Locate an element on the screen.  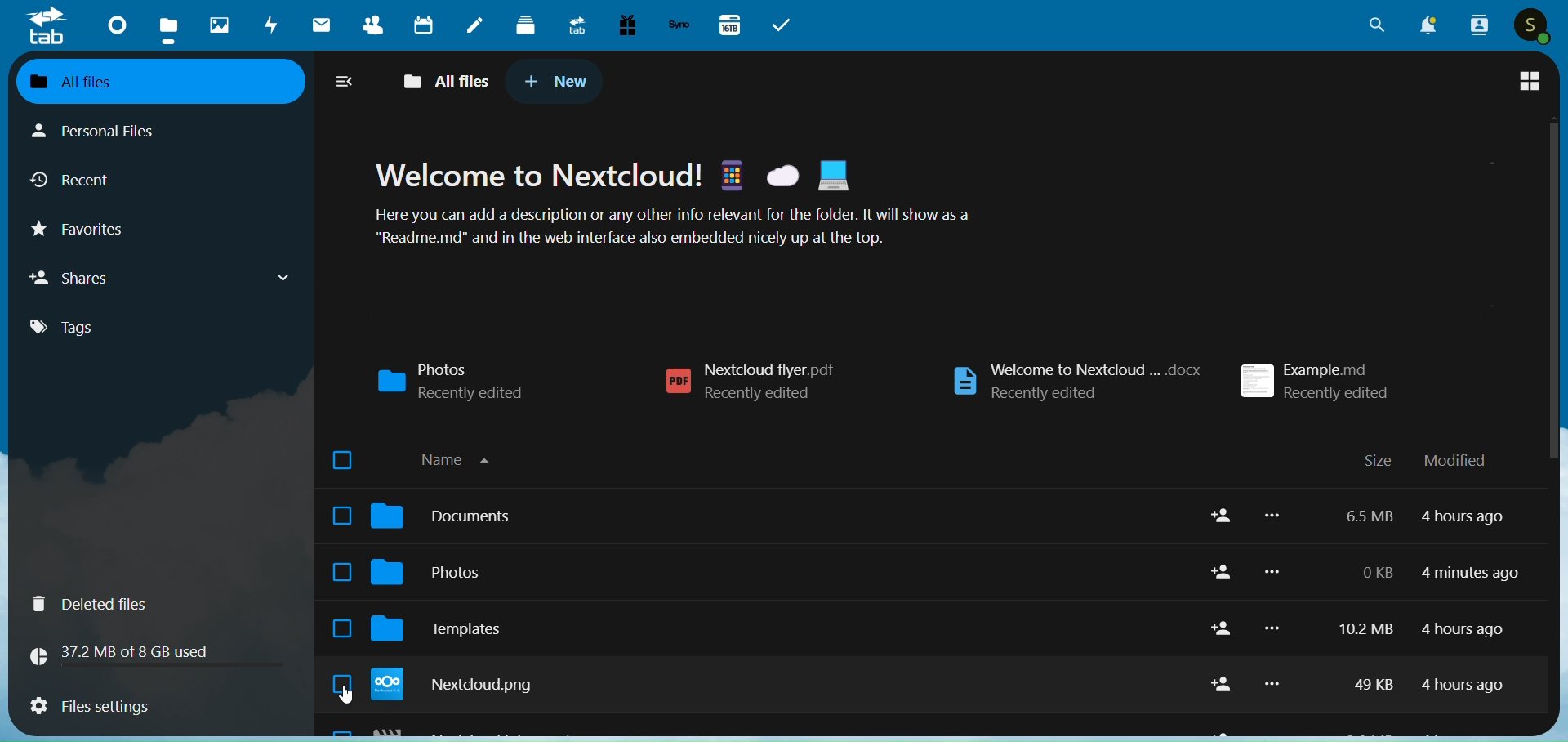
49KB 4 hours ago is located at coordinates (1428, 685).